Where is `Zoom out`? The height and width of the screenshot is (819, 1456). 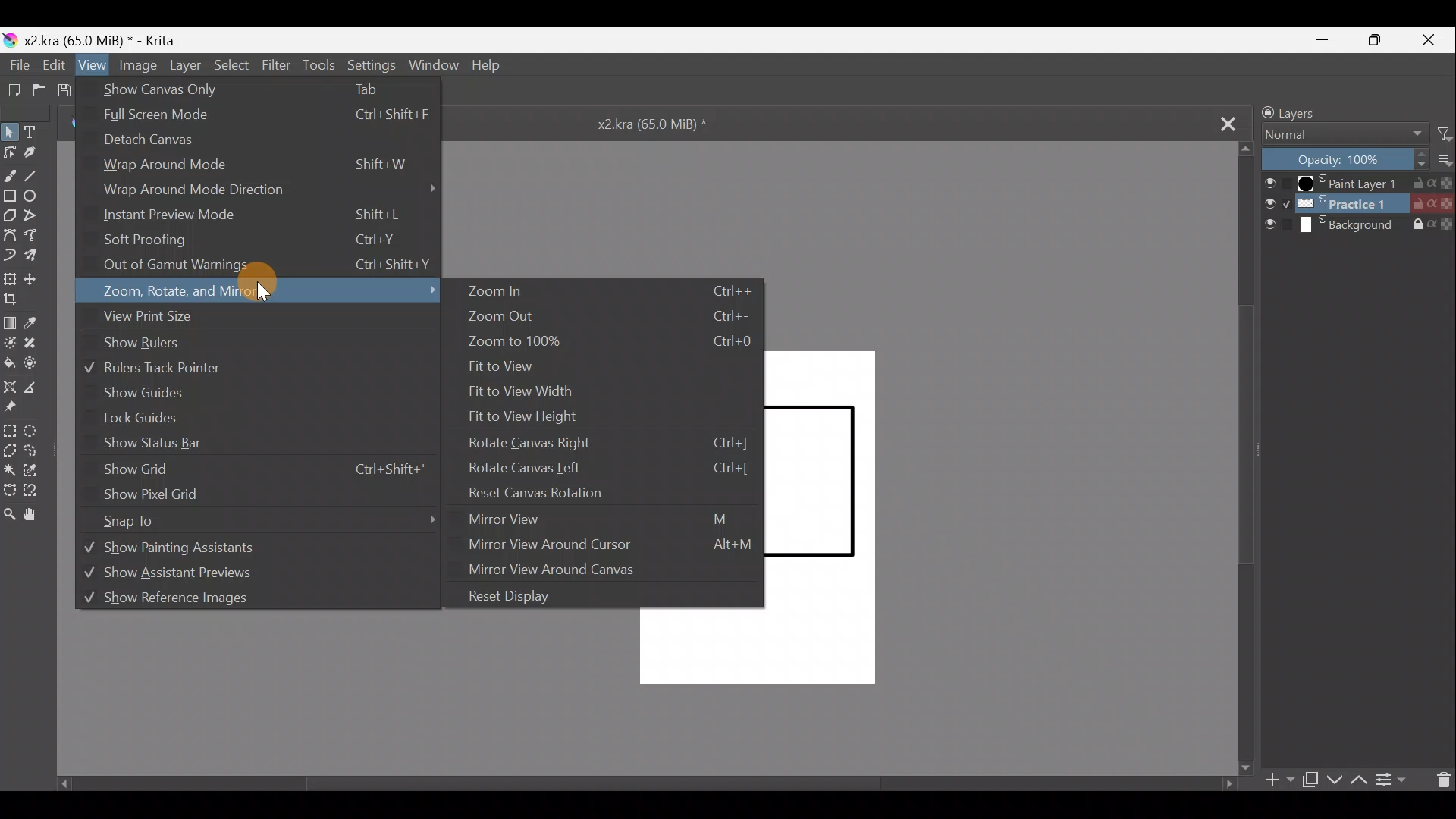 Zoom out is located at coordinates (612, 319).